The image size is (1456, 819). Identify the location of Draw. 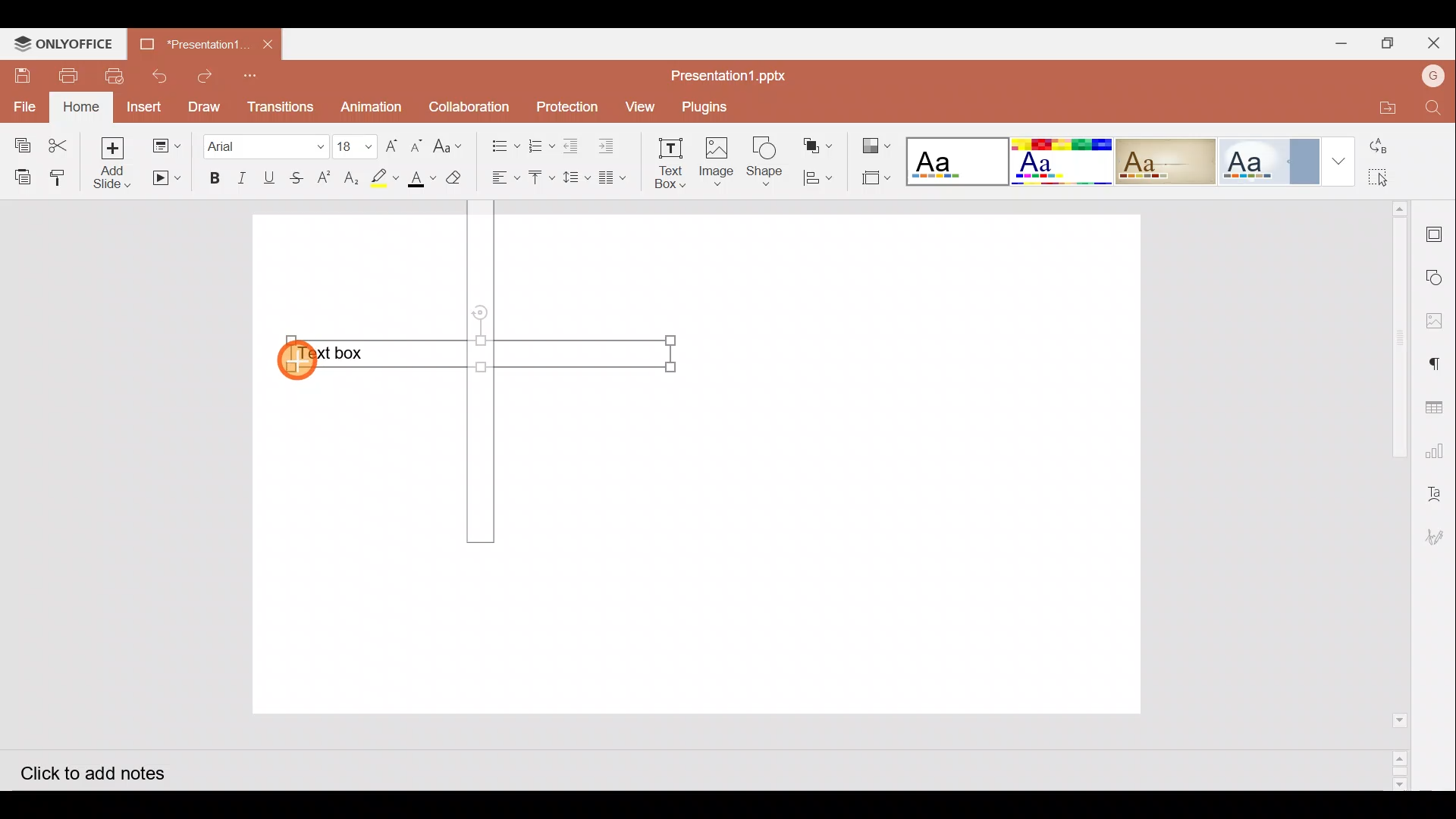
(203, 105).